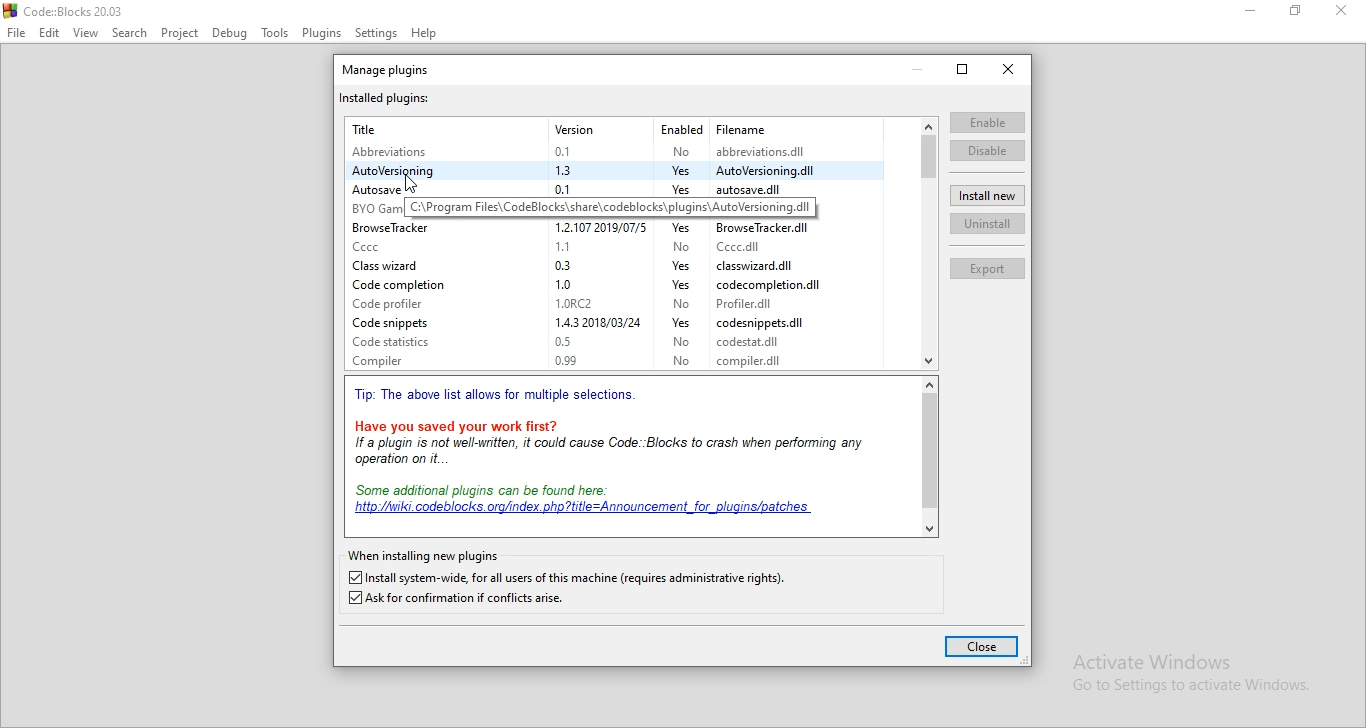 The height and width of the screenshot is (728, 1366). I want to click on CodeBlocks Desktop icon, so click(9, 10).